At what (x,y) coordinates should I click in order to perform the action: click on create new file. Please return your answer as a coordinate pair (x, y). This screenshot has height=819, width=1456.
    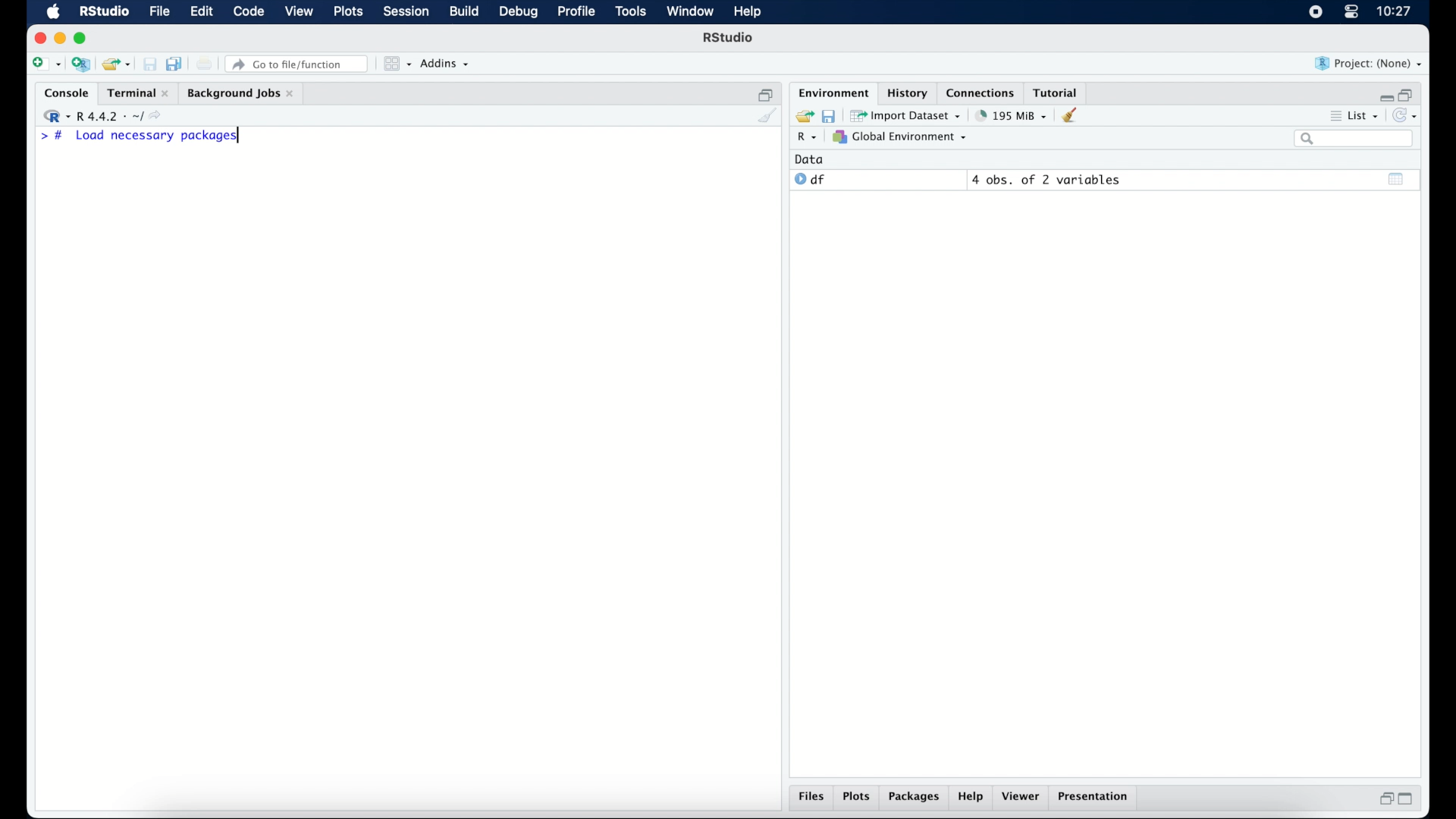
    Looking at the image, I should click on (45, 65).